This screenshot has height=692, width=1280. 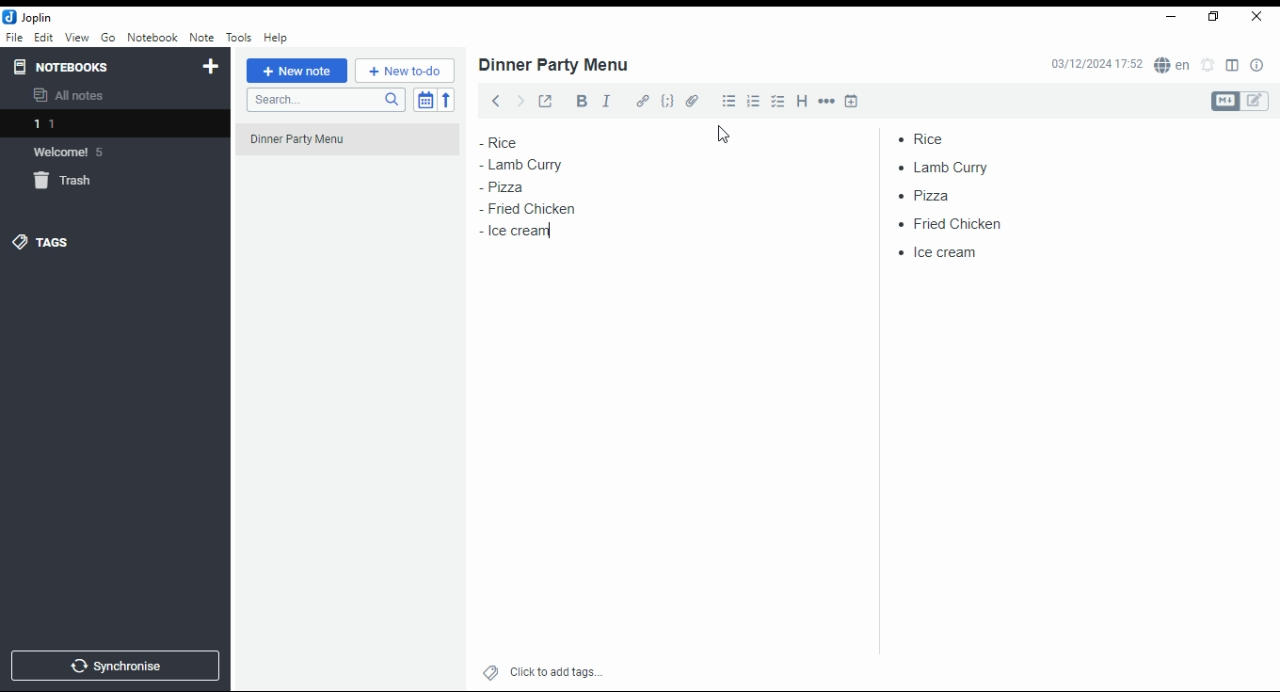 What do you see at coordinates (668, 103) in the screenshot?
I see `code` at bounding box center [668, 103].